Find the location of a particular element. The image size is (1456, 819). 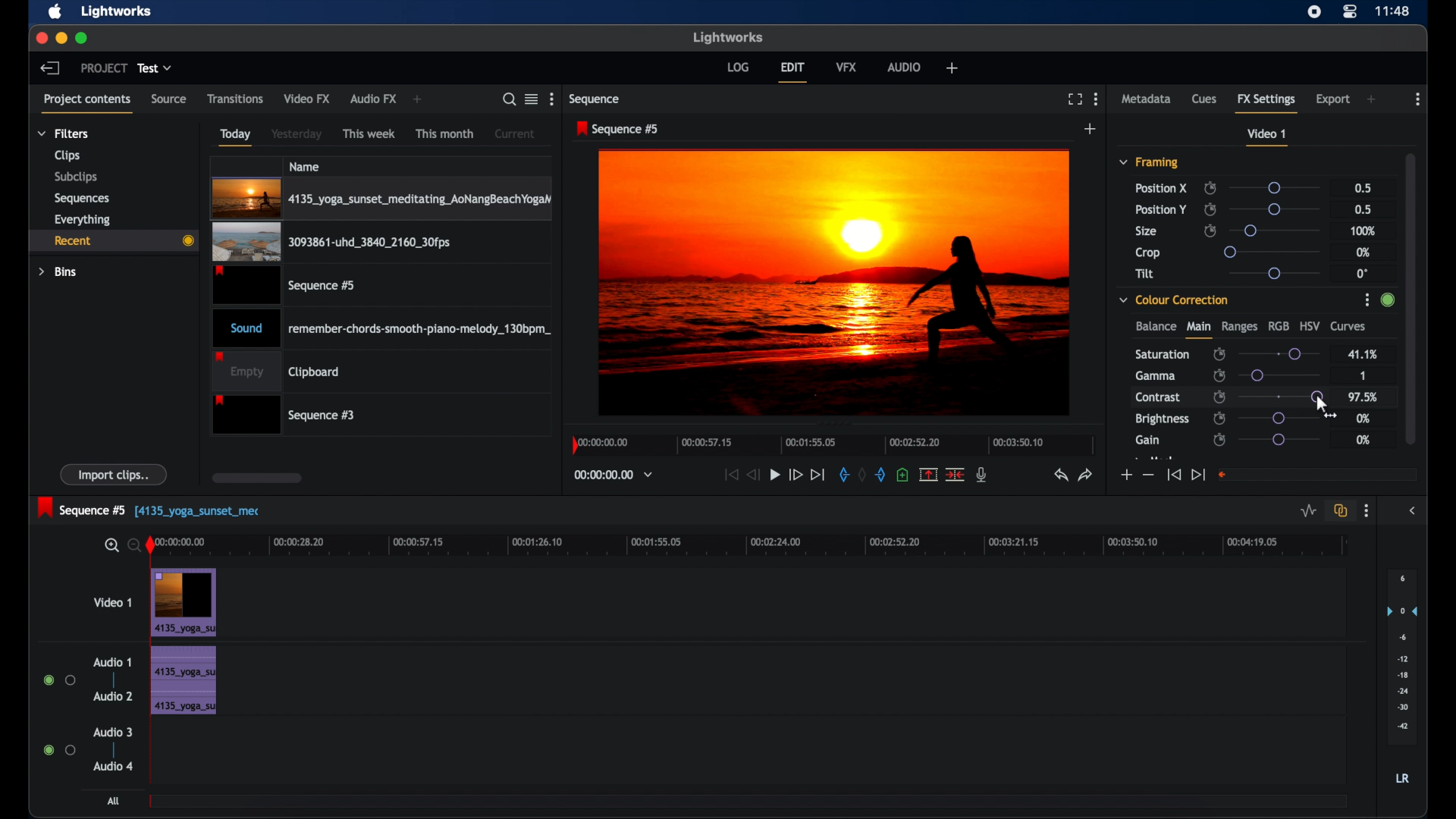

more options is located at coordinates (551, 99).